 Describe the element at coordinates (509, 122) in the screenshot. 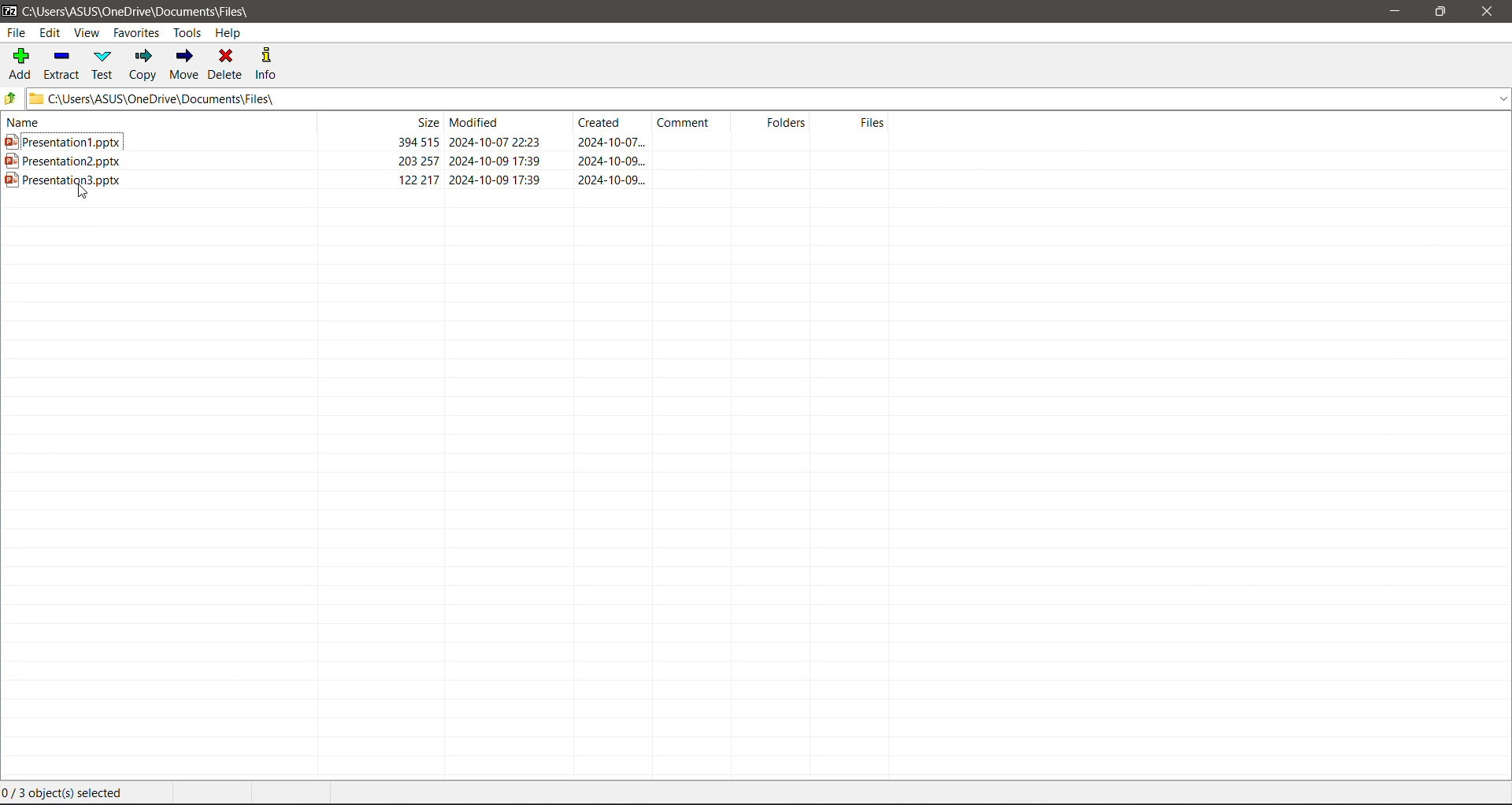

I see `Modified Date` at that location.